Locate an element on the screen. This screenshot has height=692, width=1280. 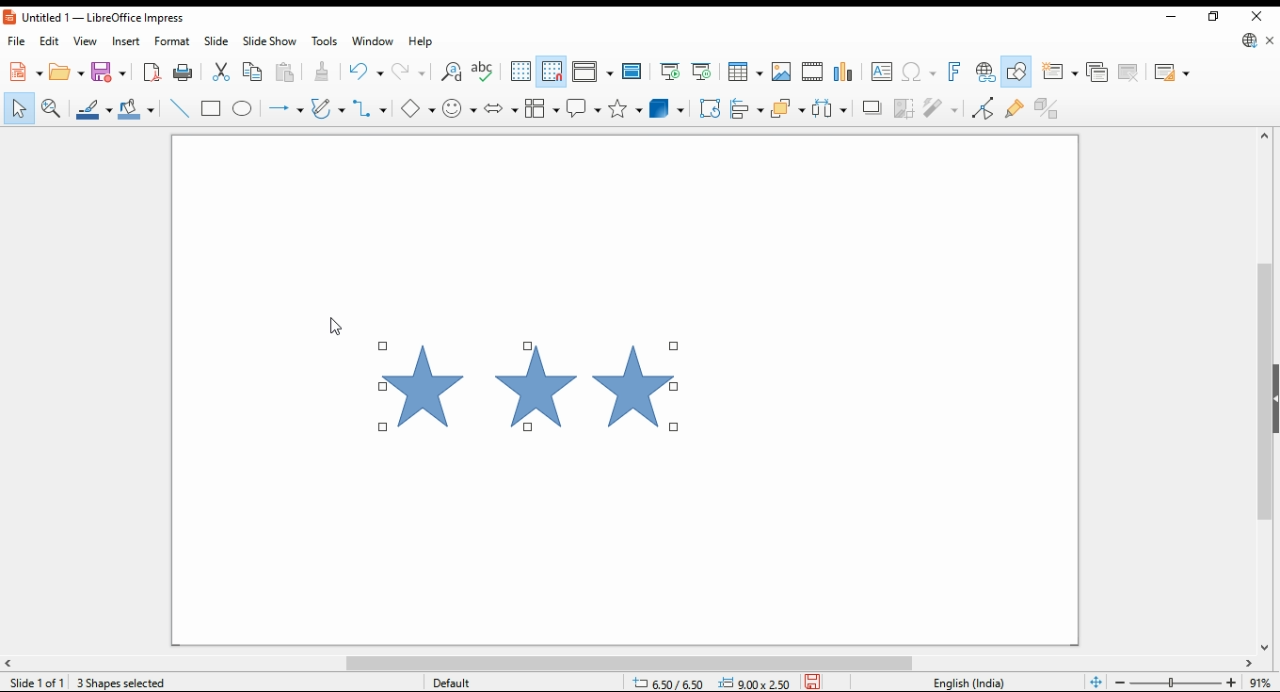
minimize is located at coordinates (1176, 17).